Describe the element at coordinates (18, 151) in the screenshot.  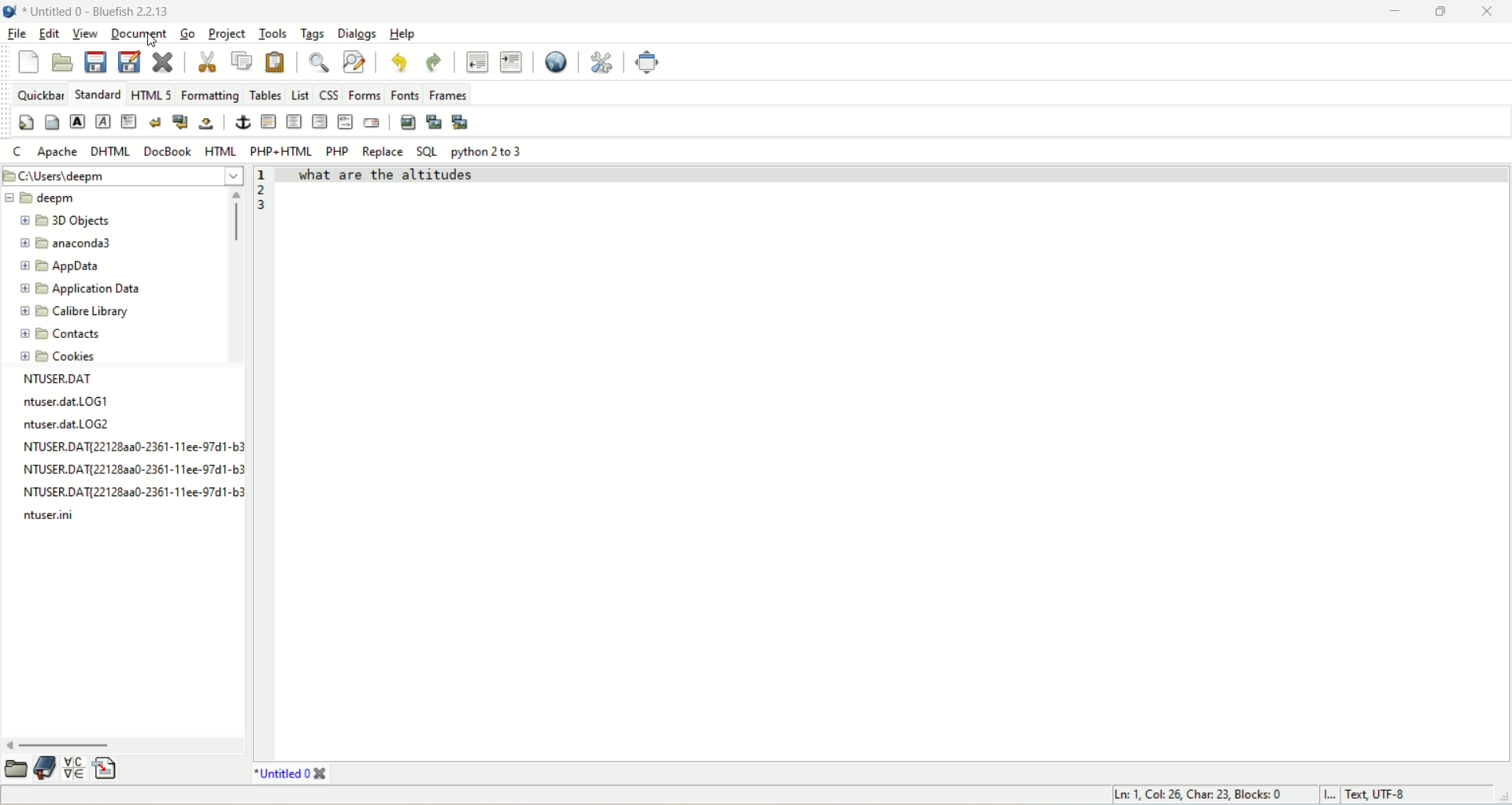
I see `C` at that location.